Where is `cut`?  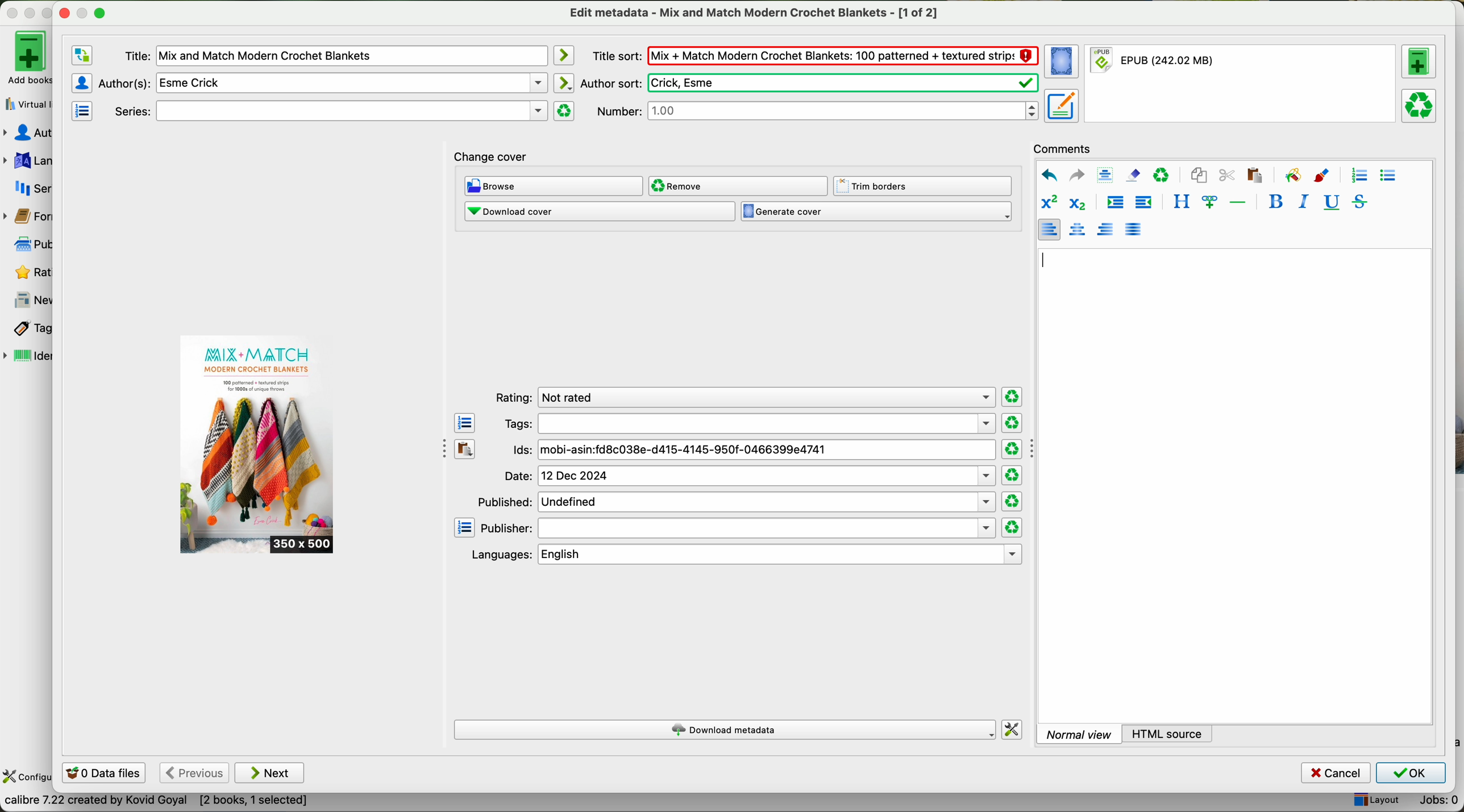 cut is located at coordinates (1227, 176).